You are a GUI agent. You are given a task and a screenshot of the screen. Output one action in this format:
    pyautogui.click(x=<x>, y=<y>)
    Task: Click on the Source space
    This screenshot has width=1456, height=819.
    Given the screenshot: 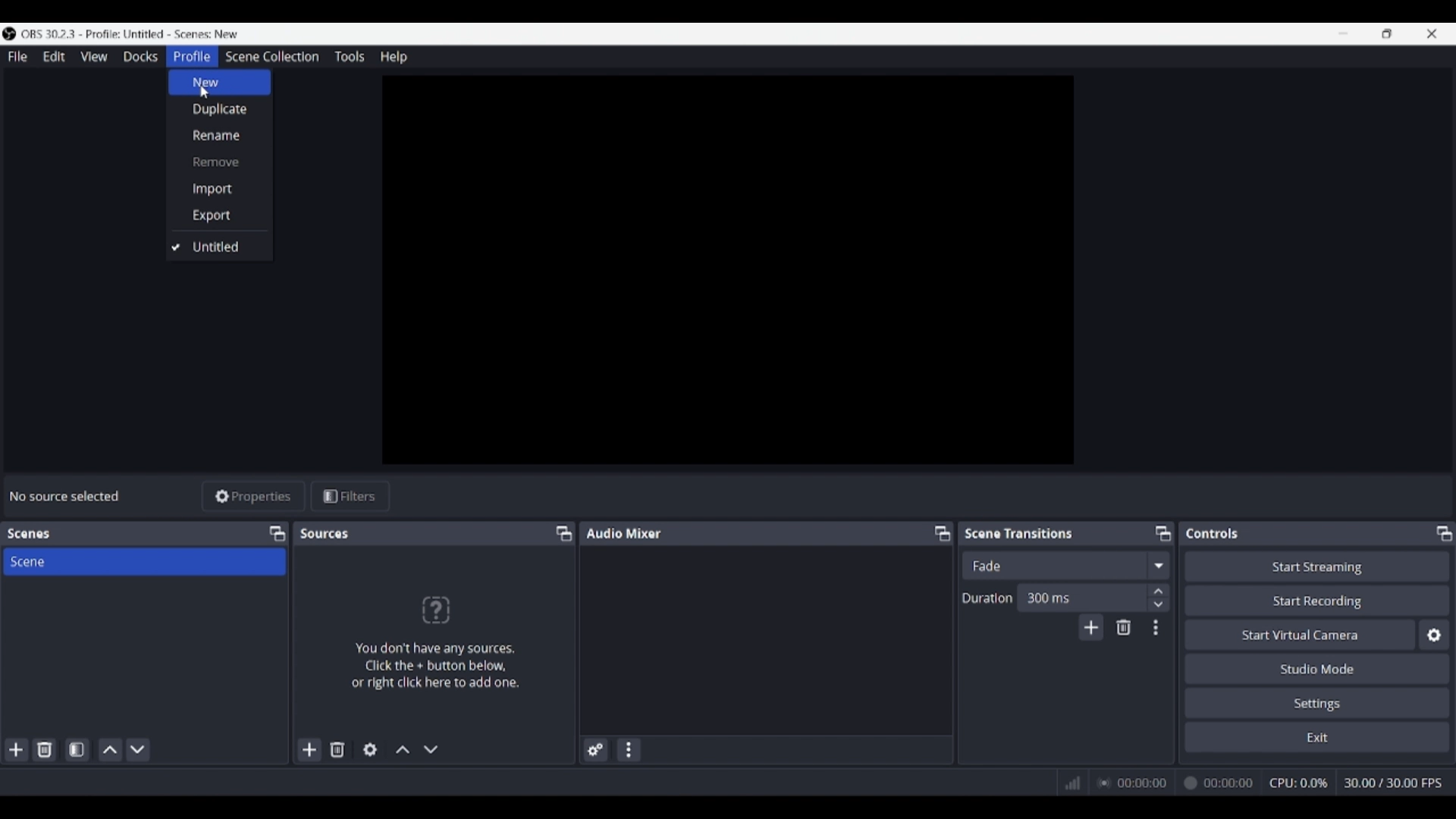 What is the action you would take?
    pyautogui.click(x=730, y=270)
    